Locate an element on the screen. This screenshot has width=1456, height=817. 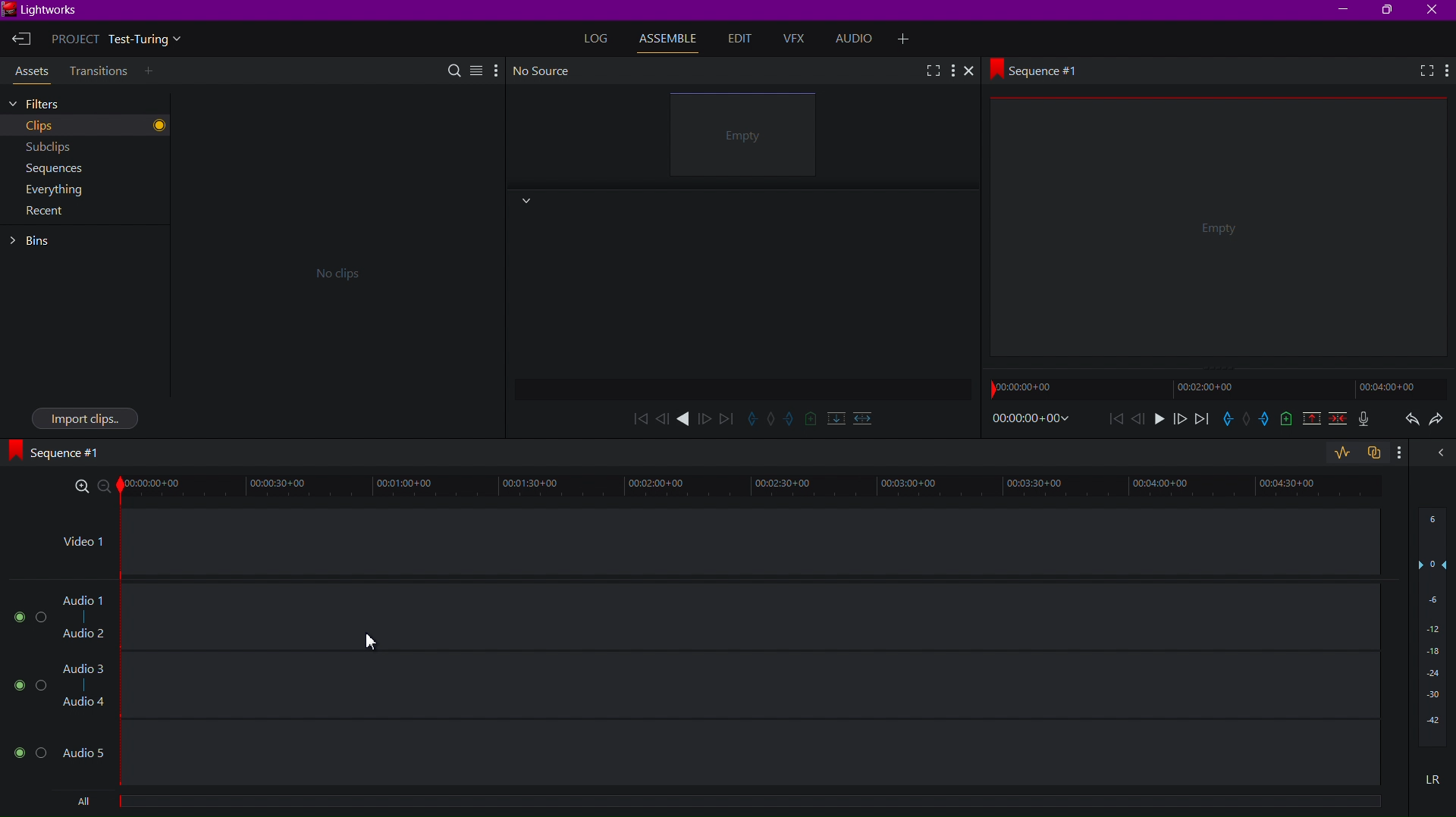
Edit is located at coordinates (739, 39).